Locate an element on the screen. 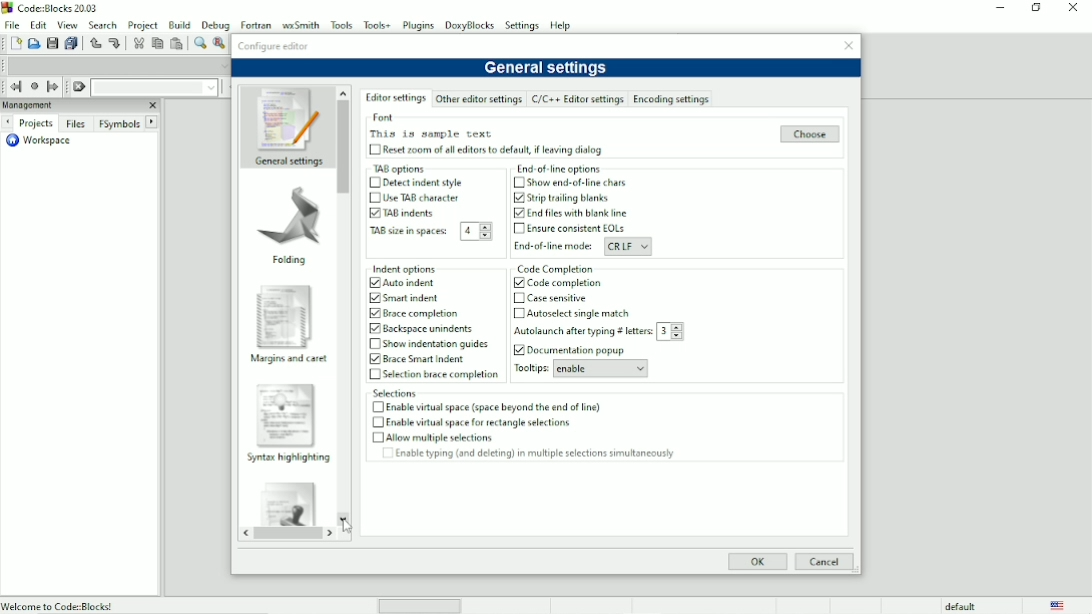  Welcome to Code:Blocks  is located at coordinates (59, 605).